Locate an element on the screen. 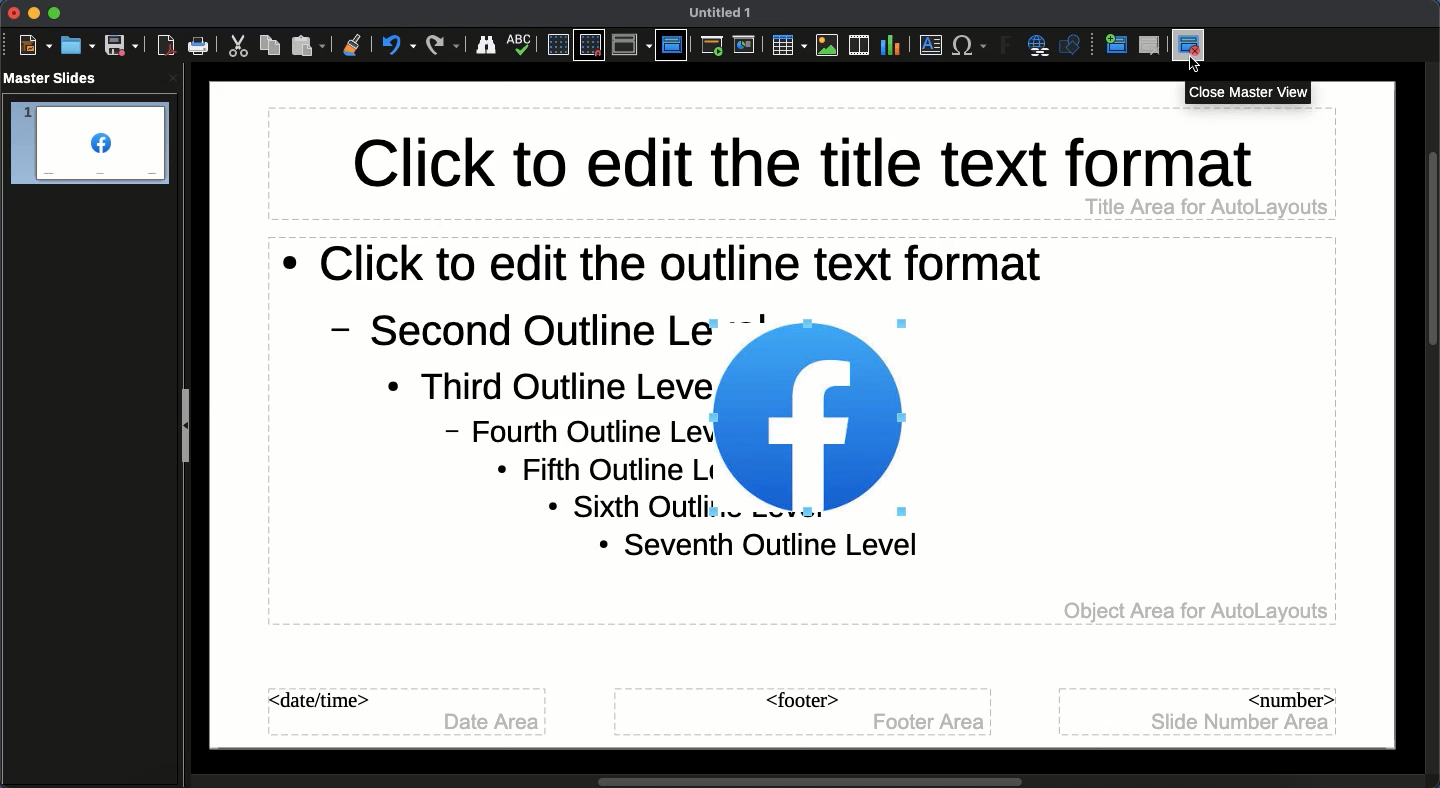 This screenshot has width=1440, height=788. First slide is located at coordinates (714, 46).